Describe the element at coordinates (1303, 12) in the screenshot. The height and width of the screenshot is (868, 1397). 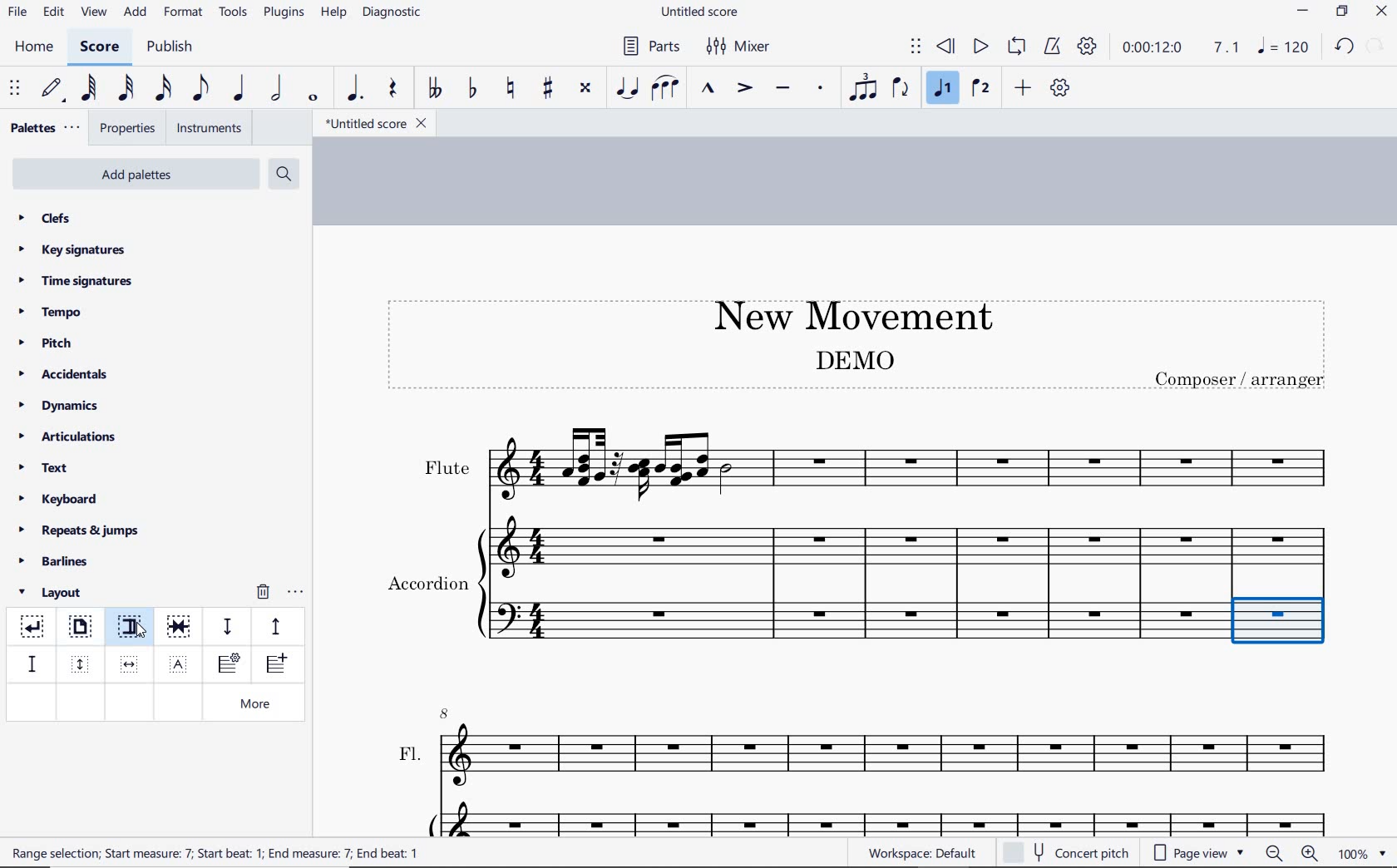
I see `minimize` at that location.